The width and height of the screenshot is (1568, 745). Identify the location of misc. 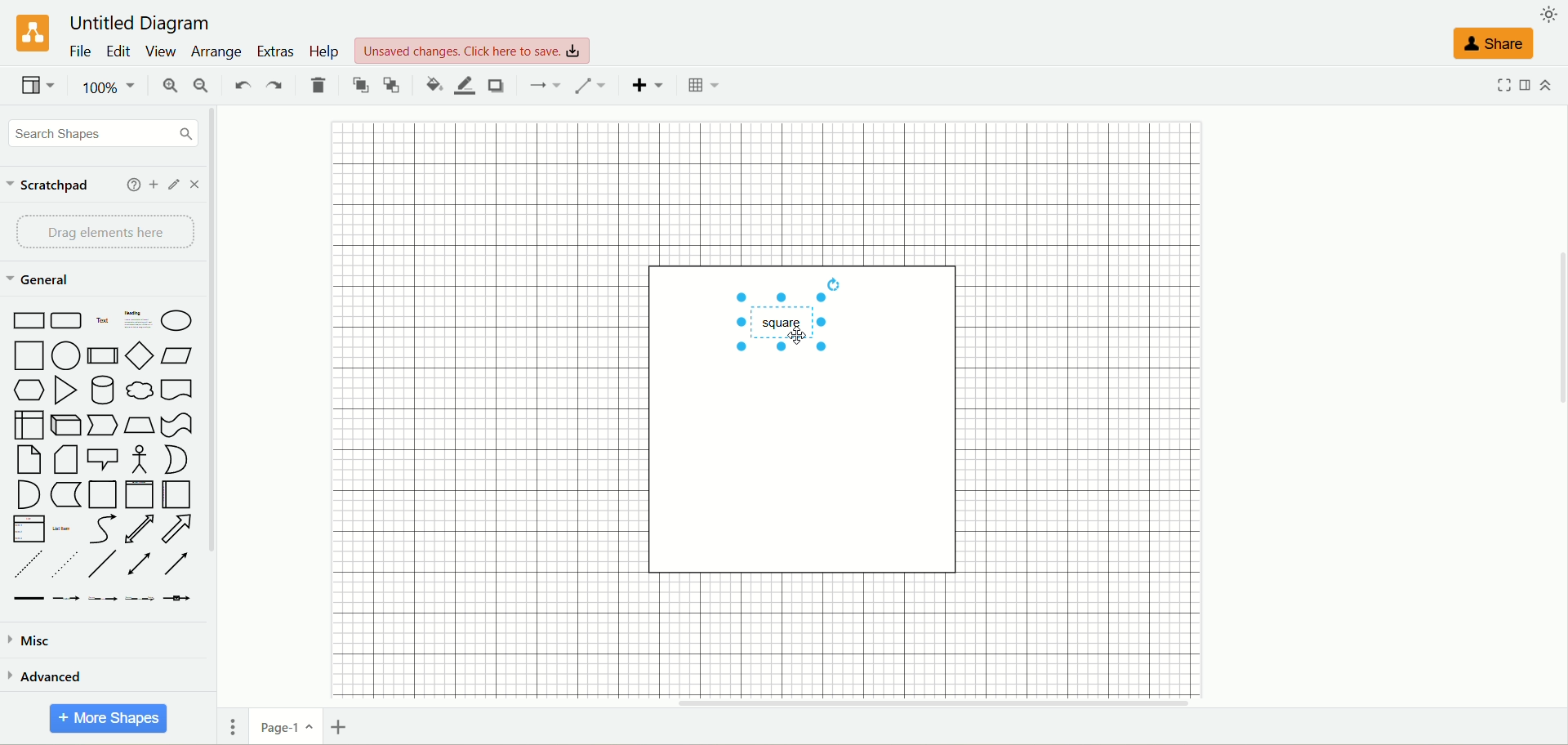
(36, 638).